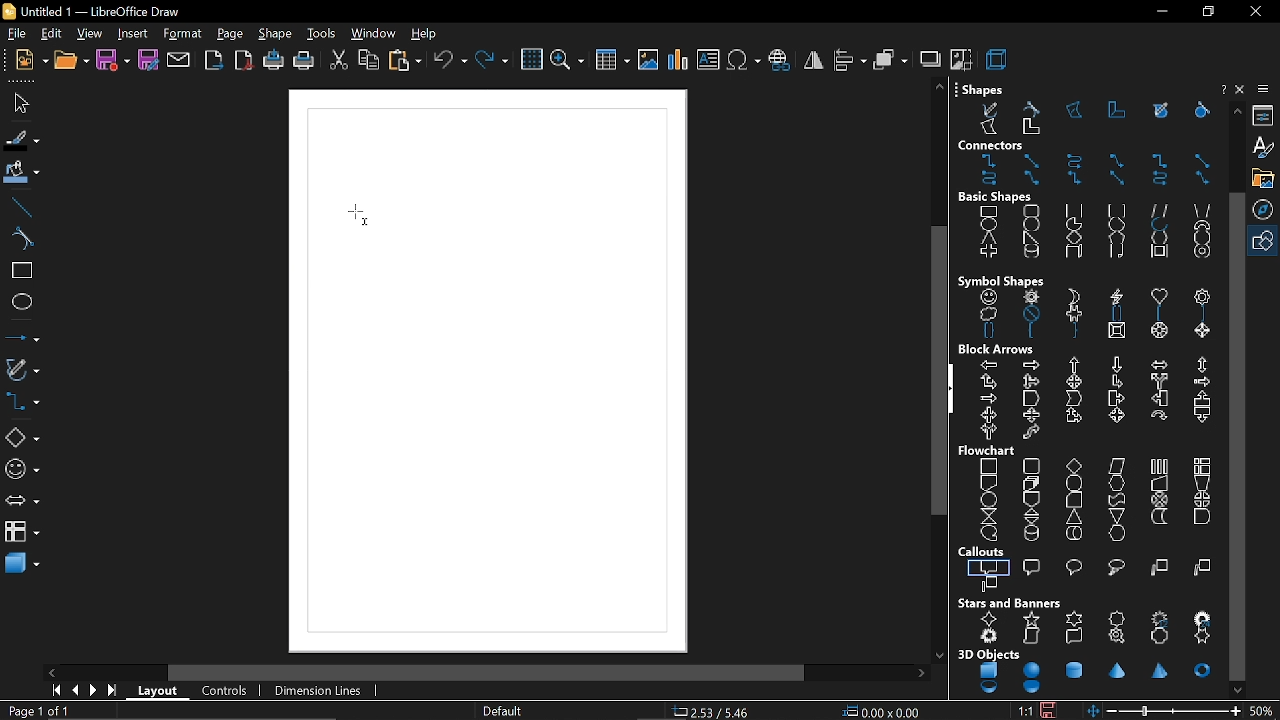  Describe the element at coordinates (1116, 225) in the screenshot. I see `circle segment` at that location.